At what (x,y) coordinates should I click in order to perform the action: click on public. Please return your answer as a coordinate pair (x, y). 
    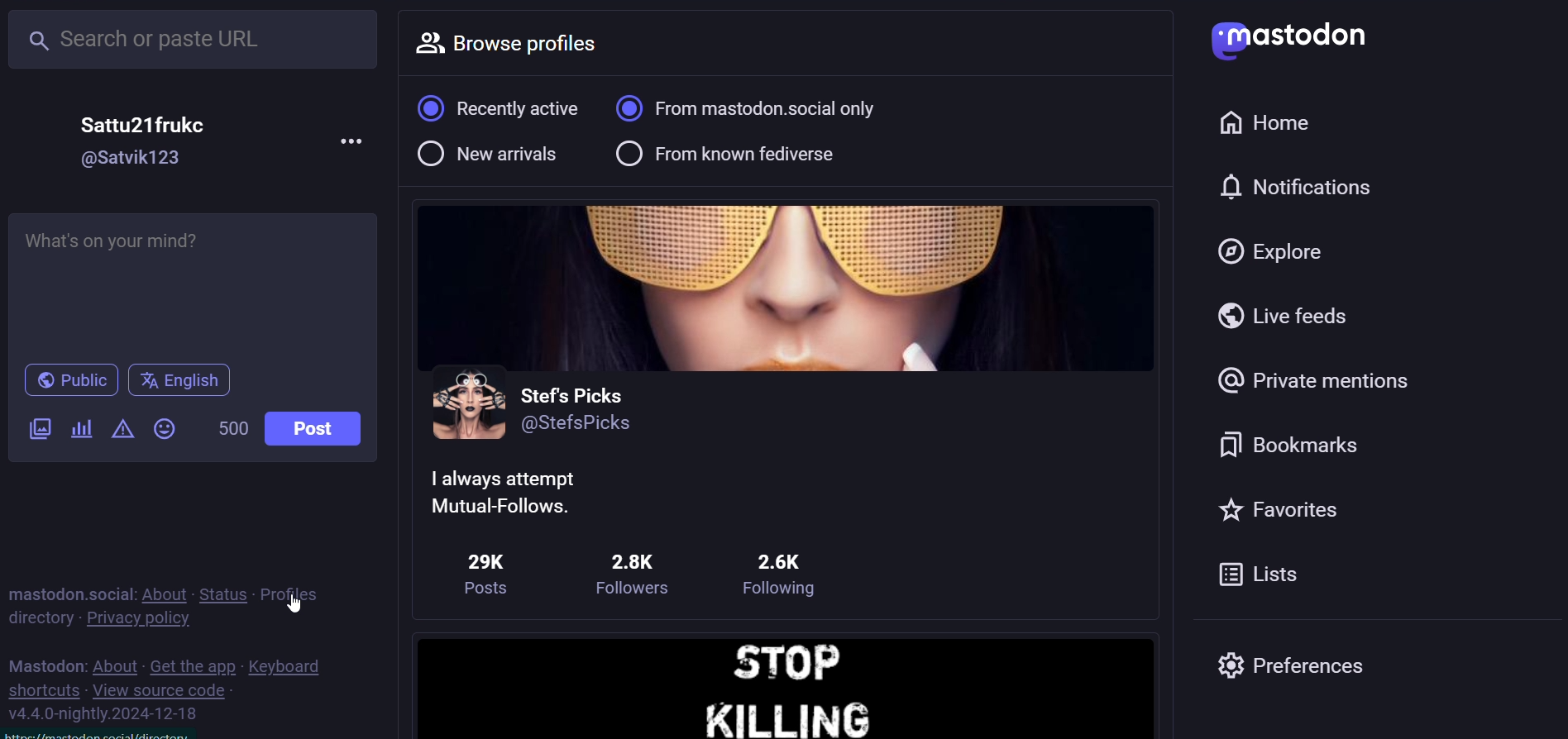
    Looking at the image, I should click on (69, 379).